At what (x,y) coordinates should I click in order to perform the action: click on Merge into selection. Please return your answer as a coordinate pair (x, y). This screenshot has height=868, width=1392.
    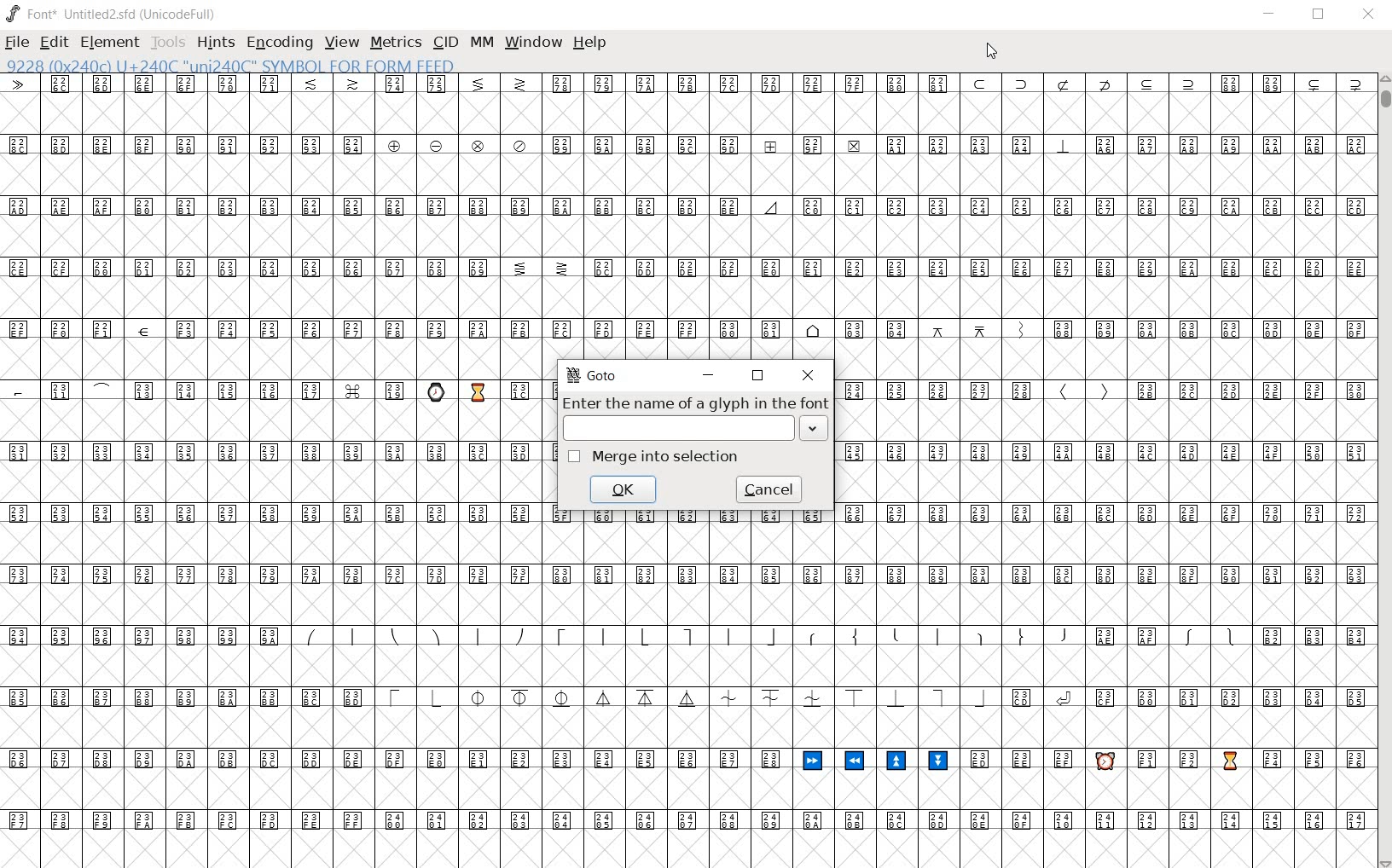
    Looking at the image, I should click on (652, 457).